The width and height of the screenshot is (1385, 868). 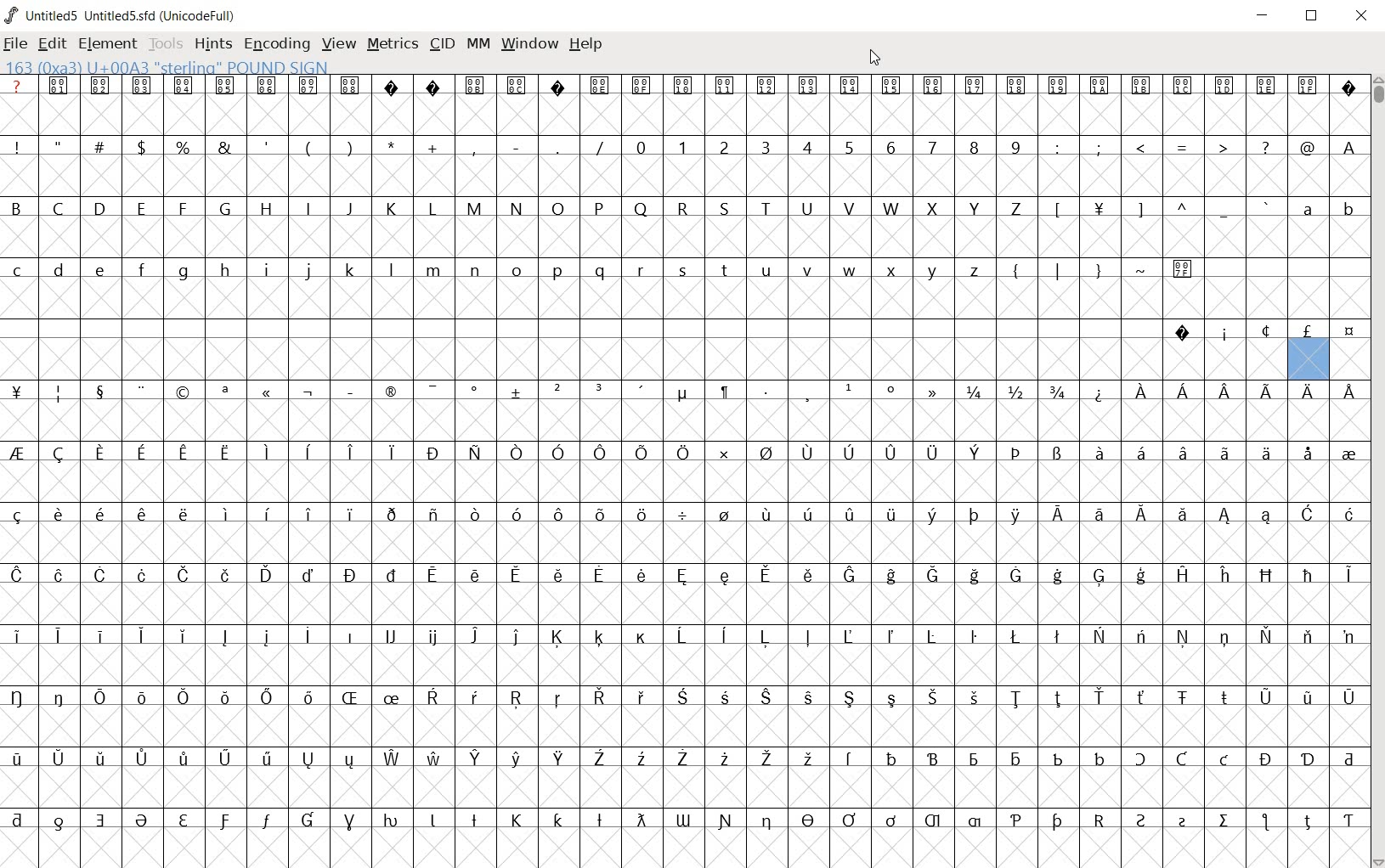 I want to click on Symbol, so click(x=100, y=575).